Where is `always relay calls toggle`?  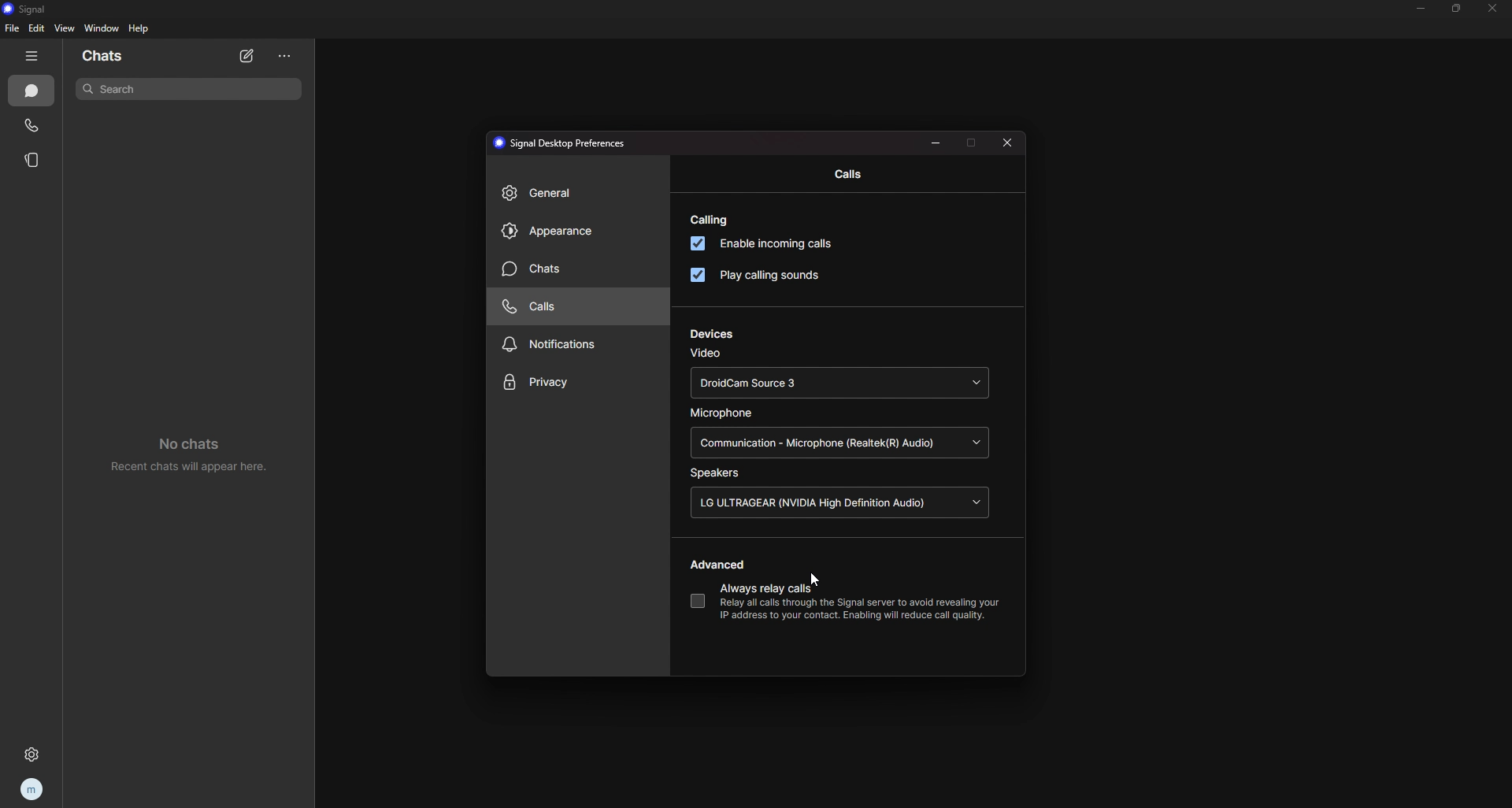 always relay calls toggle is located at coordinates (697, 602).